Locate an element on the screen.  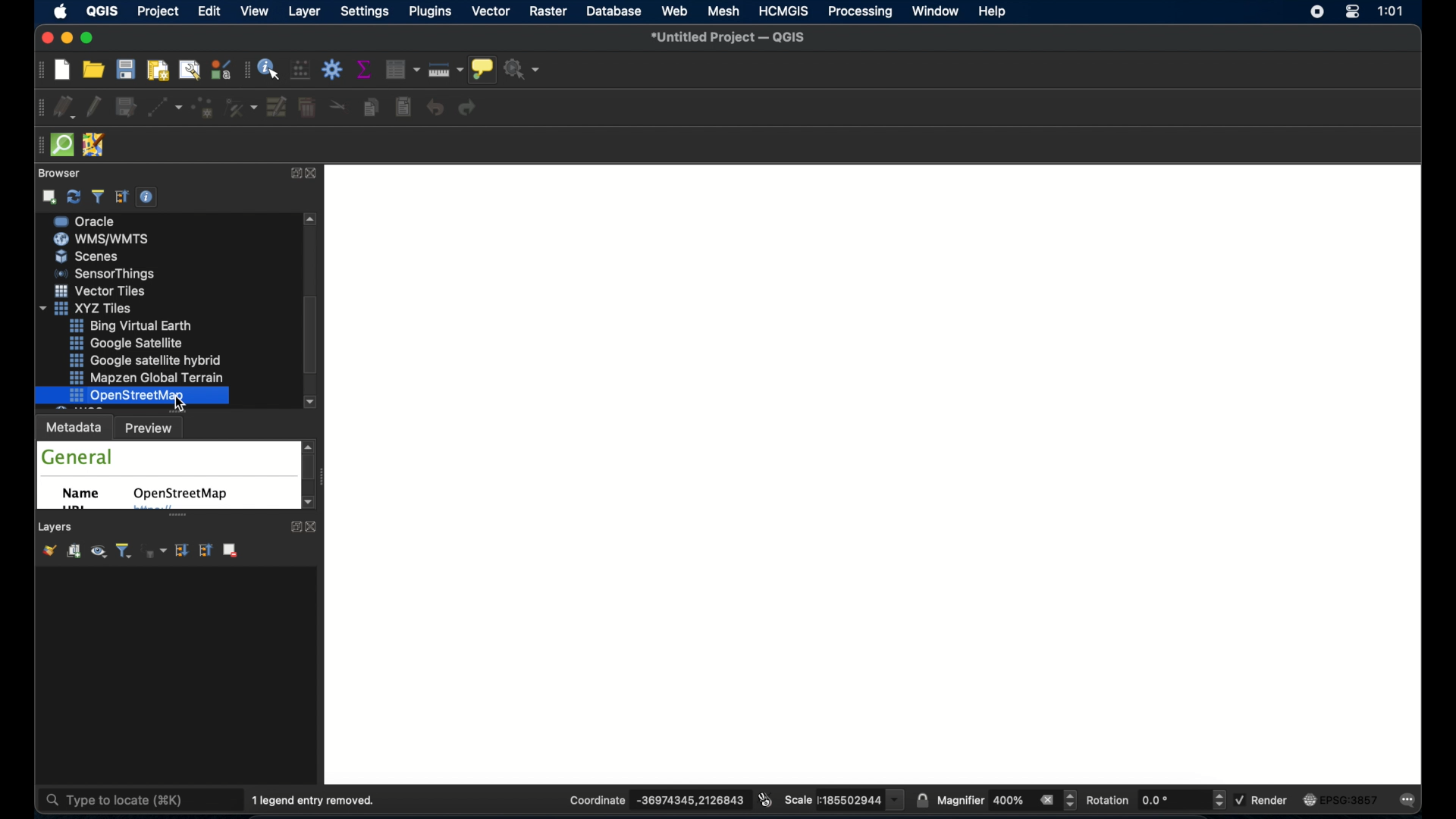
drag handle is located at coordinates (34, 143).